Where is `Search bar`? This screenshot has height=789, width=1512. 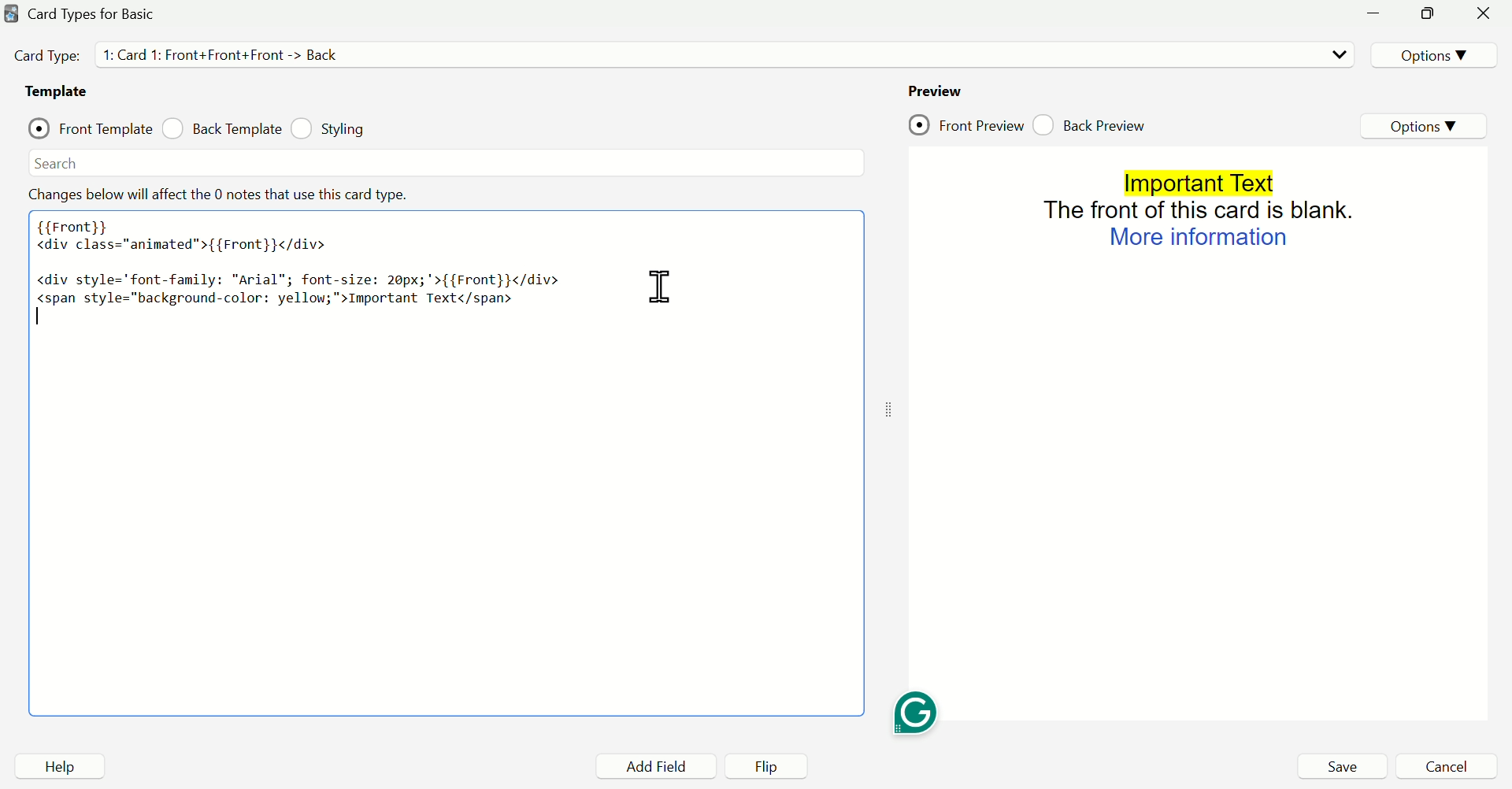 Search bar is located at coordinates (443, 162).